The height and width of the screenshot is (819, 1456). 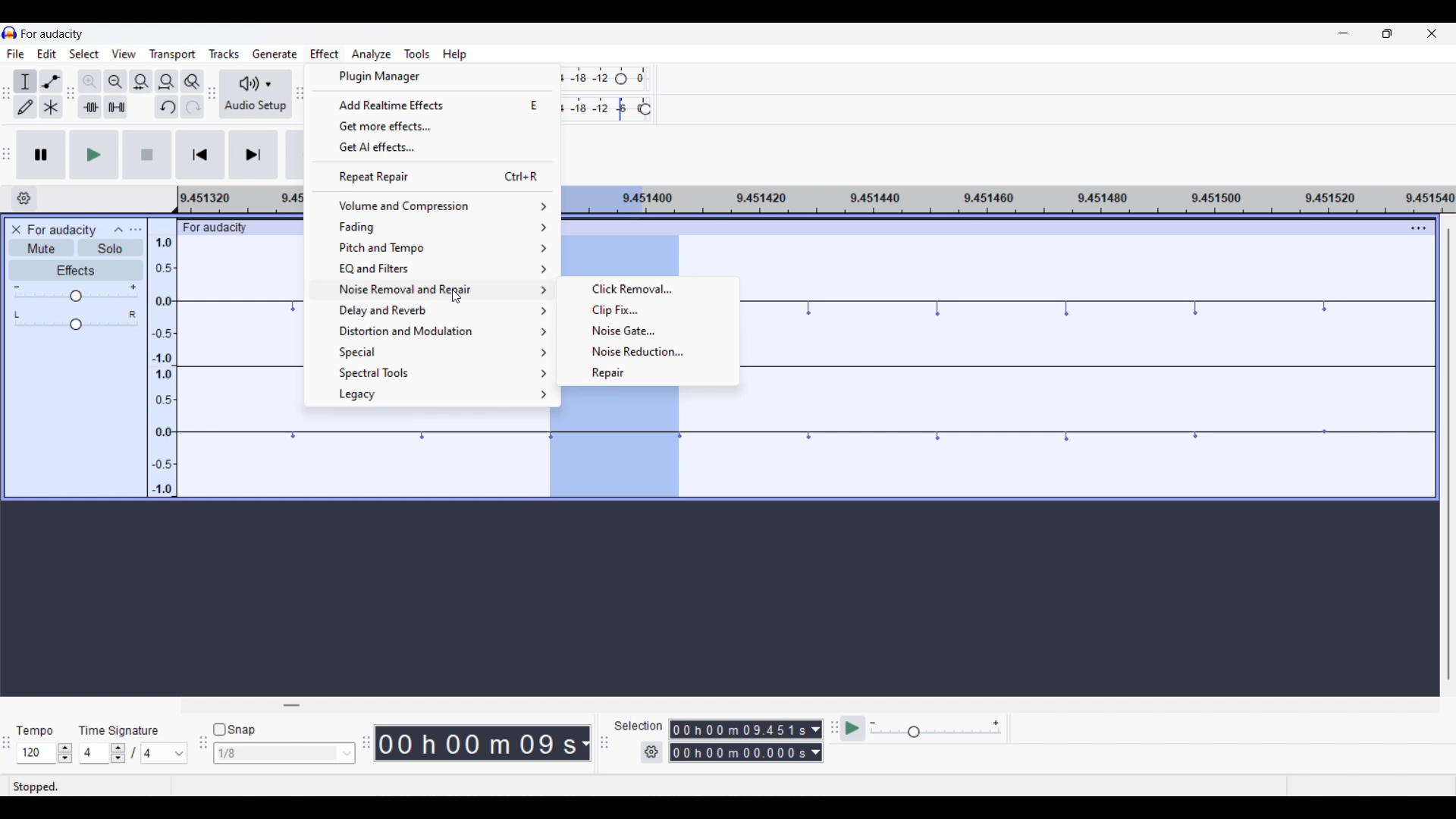 I want to click on Audio setup, so click(x=256, y=93).